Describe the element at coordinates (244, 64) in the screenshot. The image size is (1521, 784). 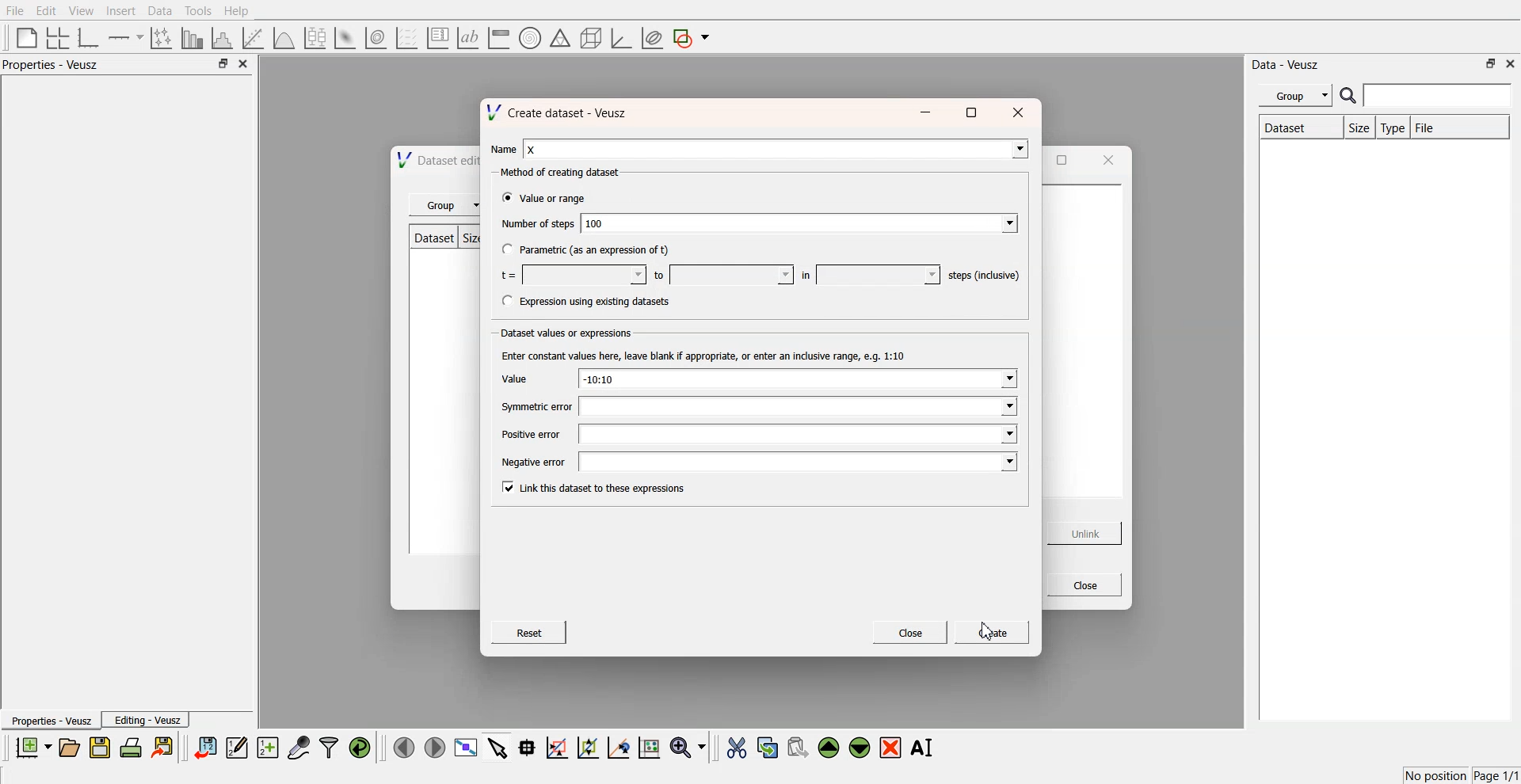
I see `close` at that location.